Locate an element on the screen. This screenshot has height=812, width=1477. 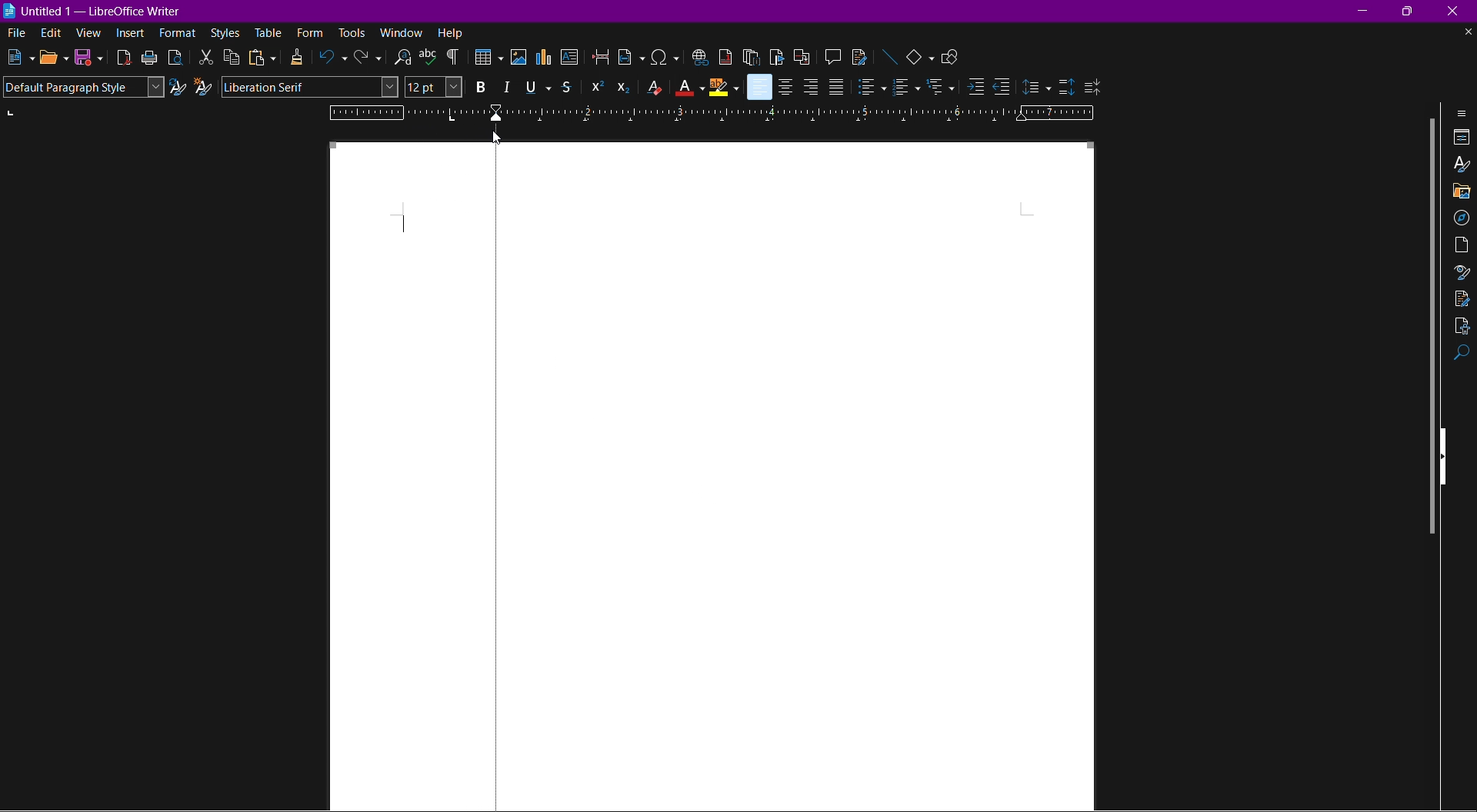
Character Highlighting Color is located at coordinates (724, 87).